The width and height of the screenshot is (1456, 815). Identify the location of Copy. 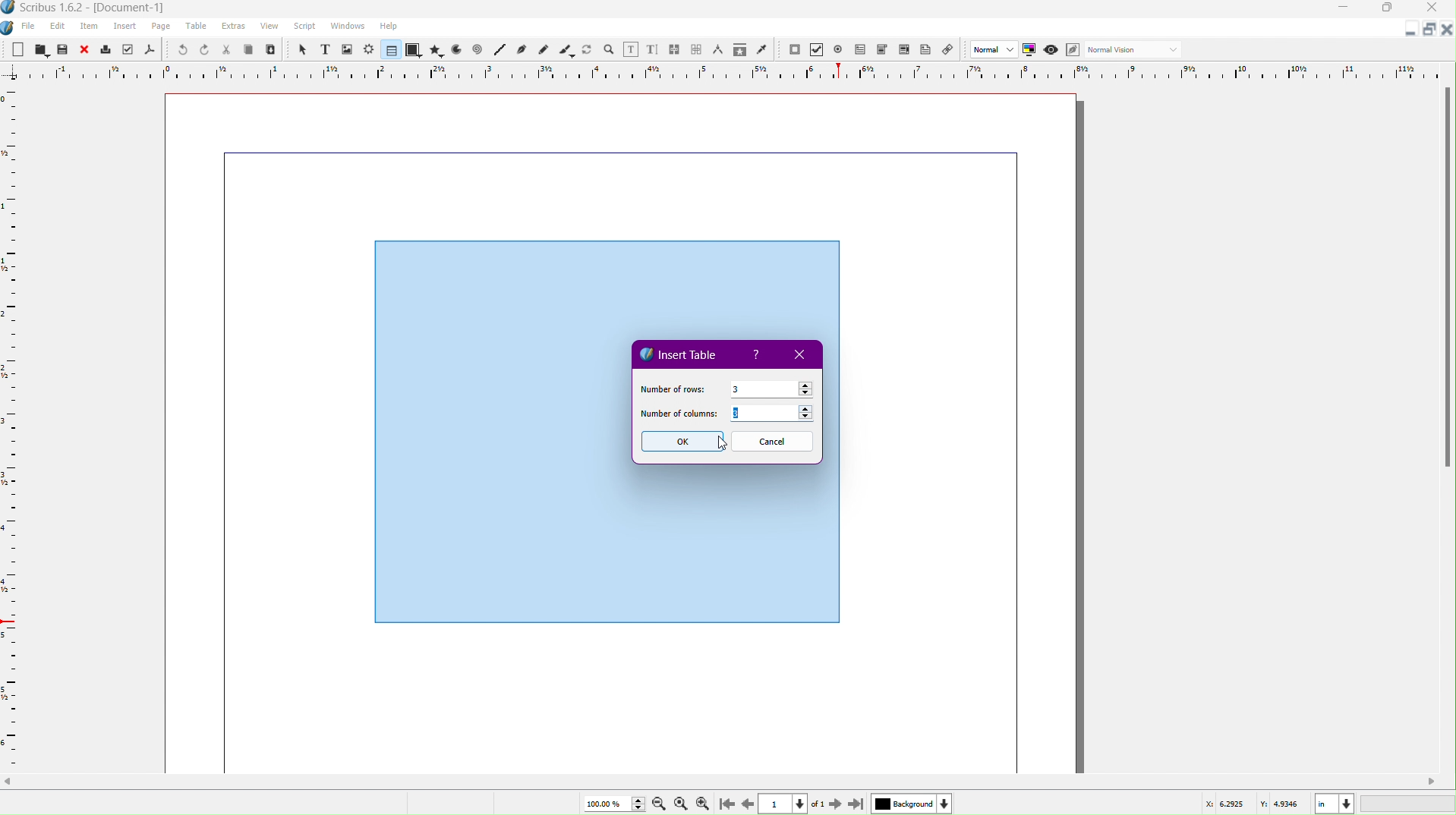
(251, 49).